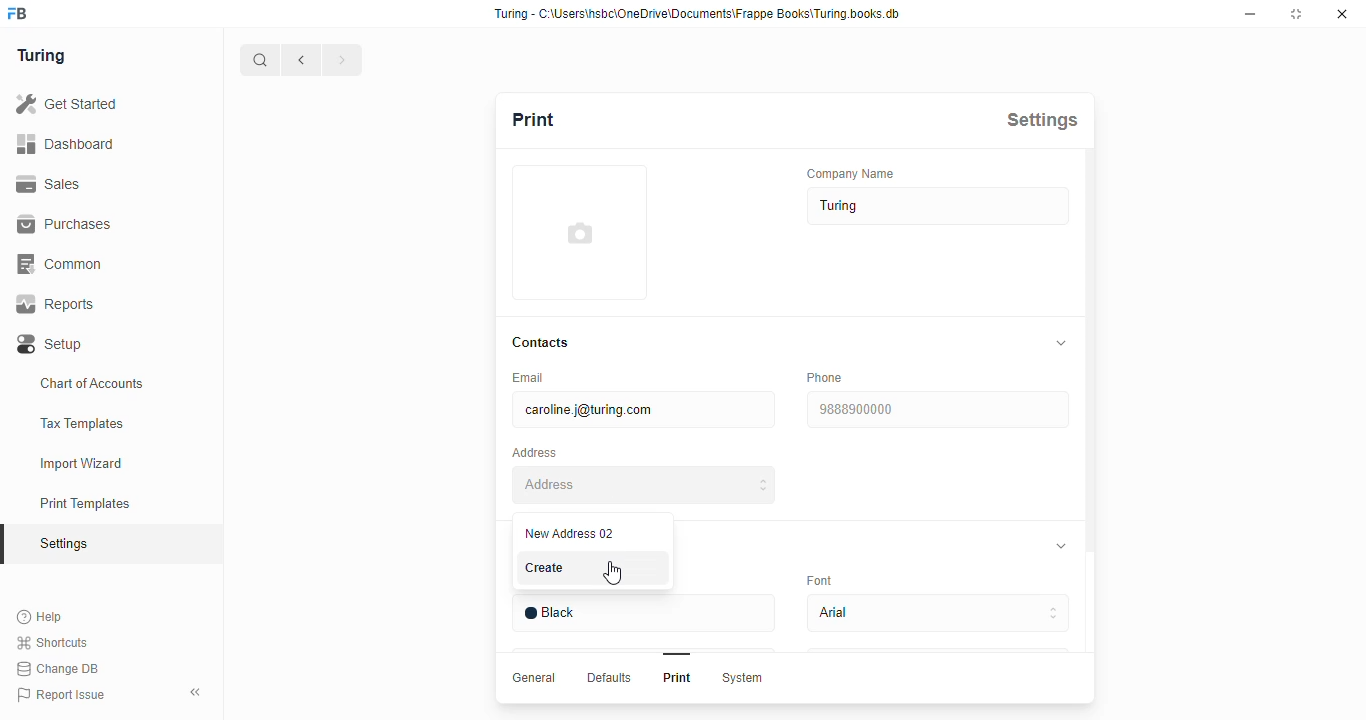 This screenshot has height=720, width=1366. Describe the element at coordinates (530, 377) in the screenshot. I see `email` at that location.